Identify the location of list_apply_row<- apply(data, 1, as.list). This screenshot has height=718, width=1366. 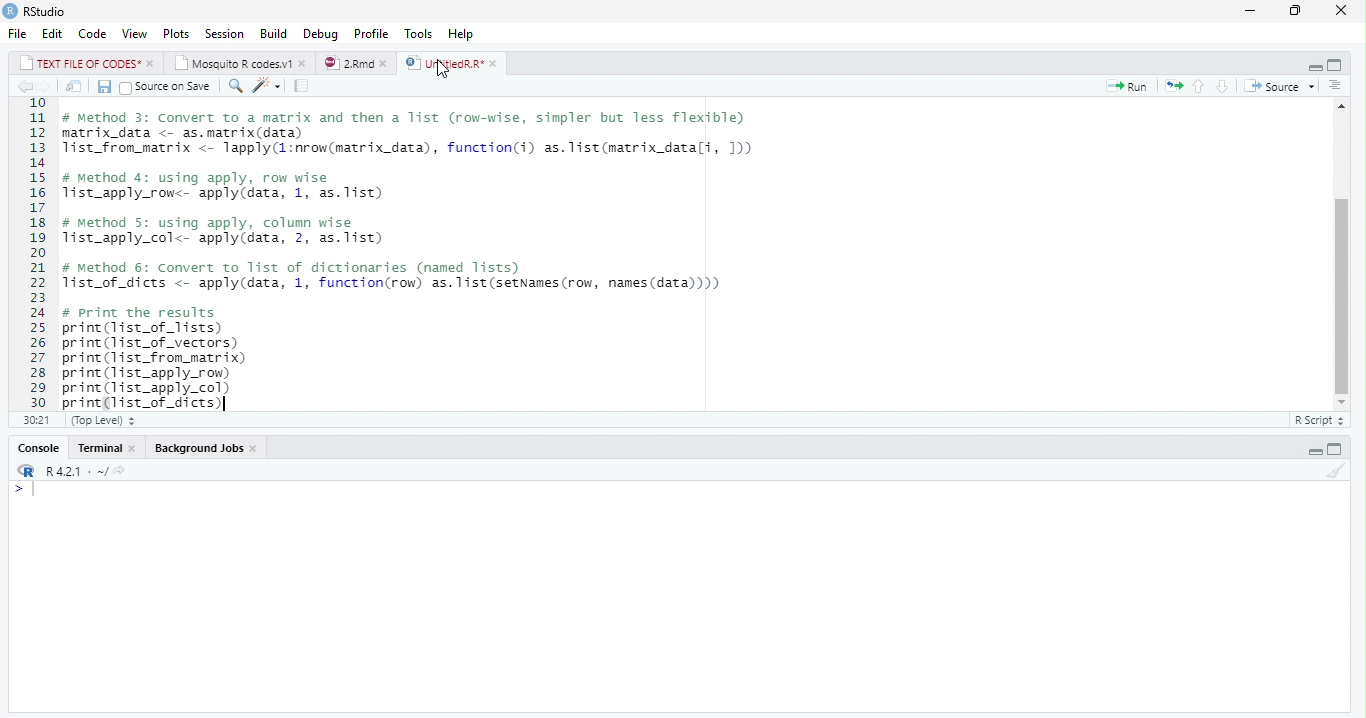
(232, 195).